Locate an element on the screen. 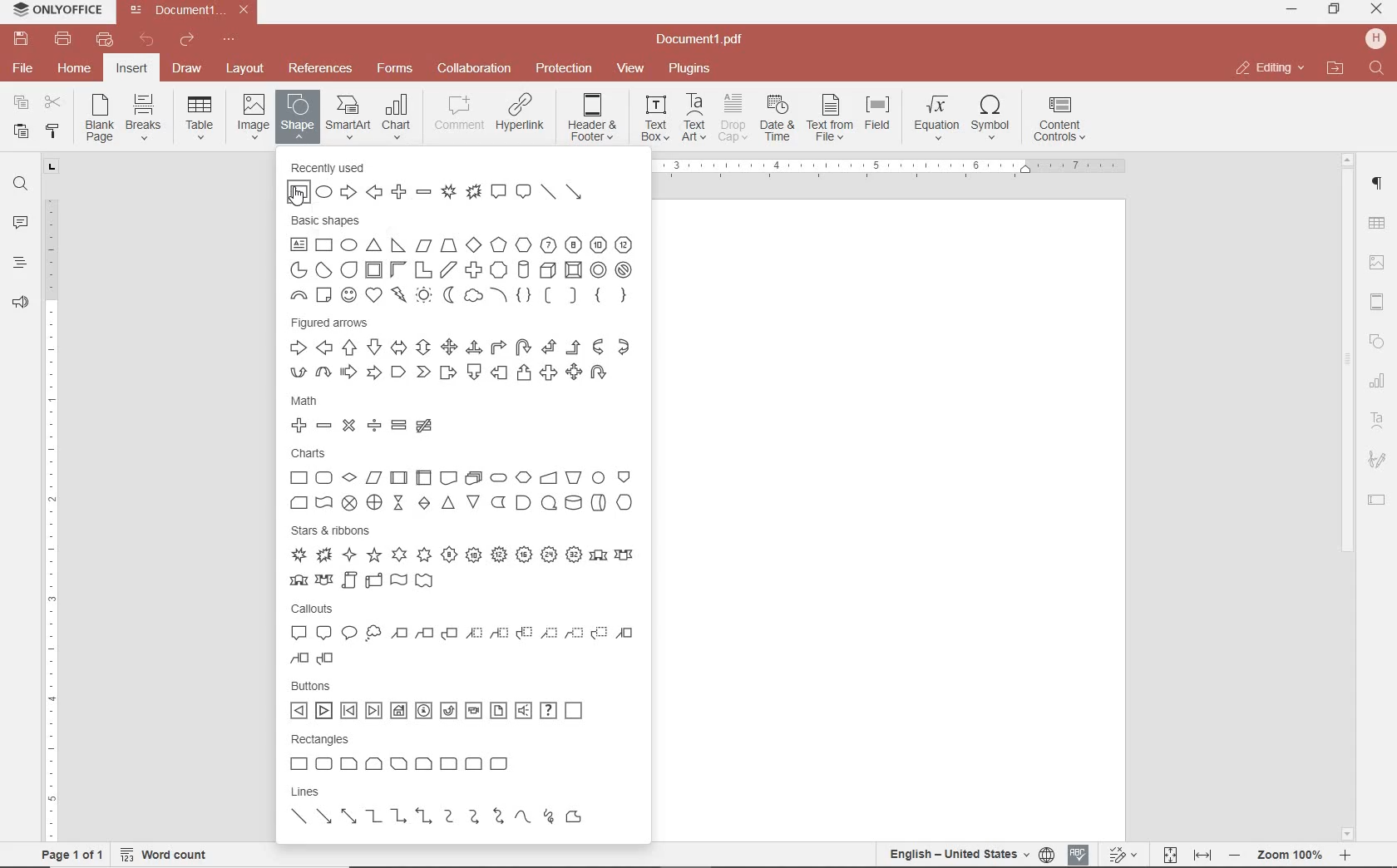  CHART is located at coordinates (1378, 382).